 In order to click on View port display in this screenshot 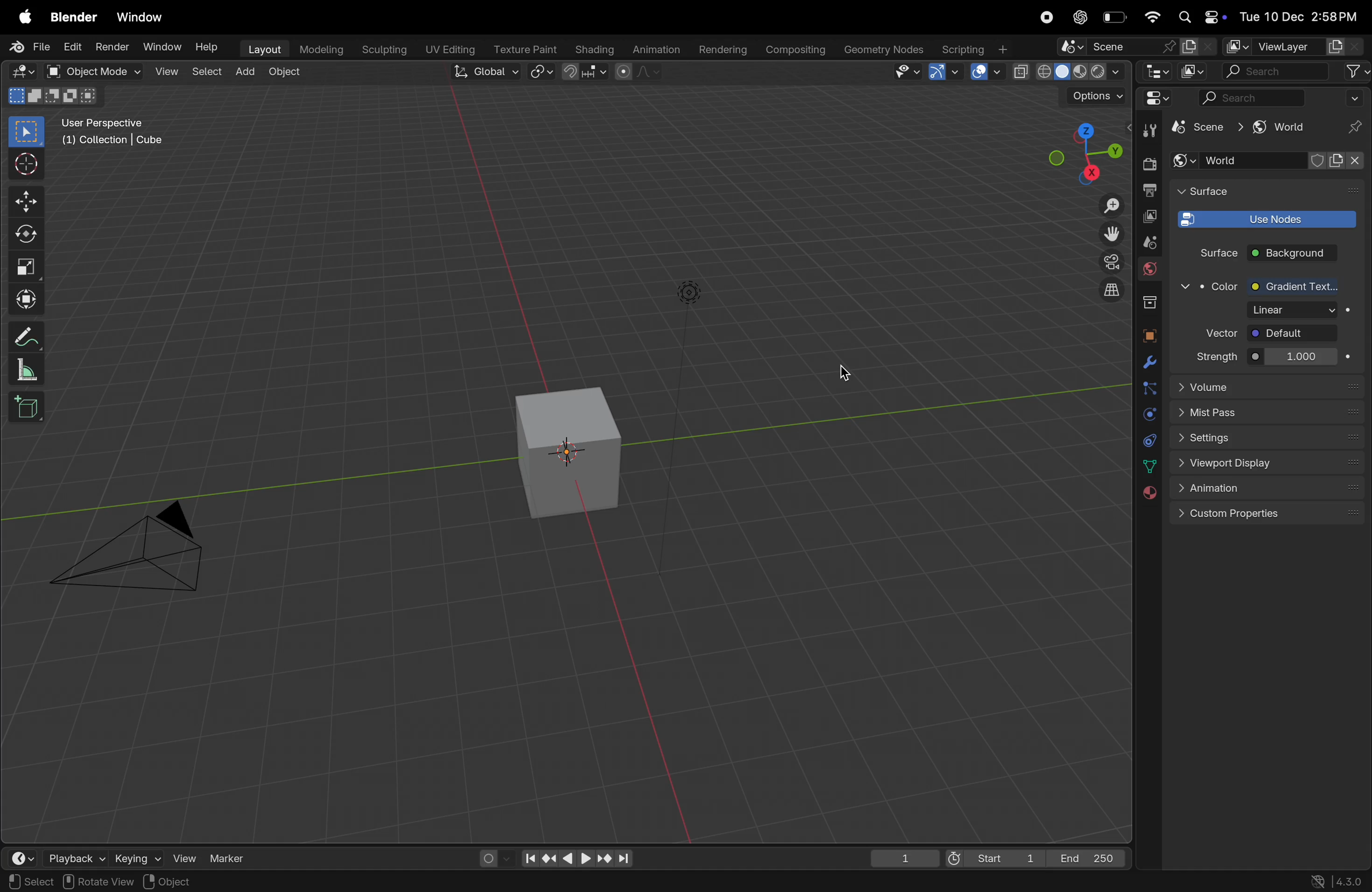, I will do `click(1269, 462)`.